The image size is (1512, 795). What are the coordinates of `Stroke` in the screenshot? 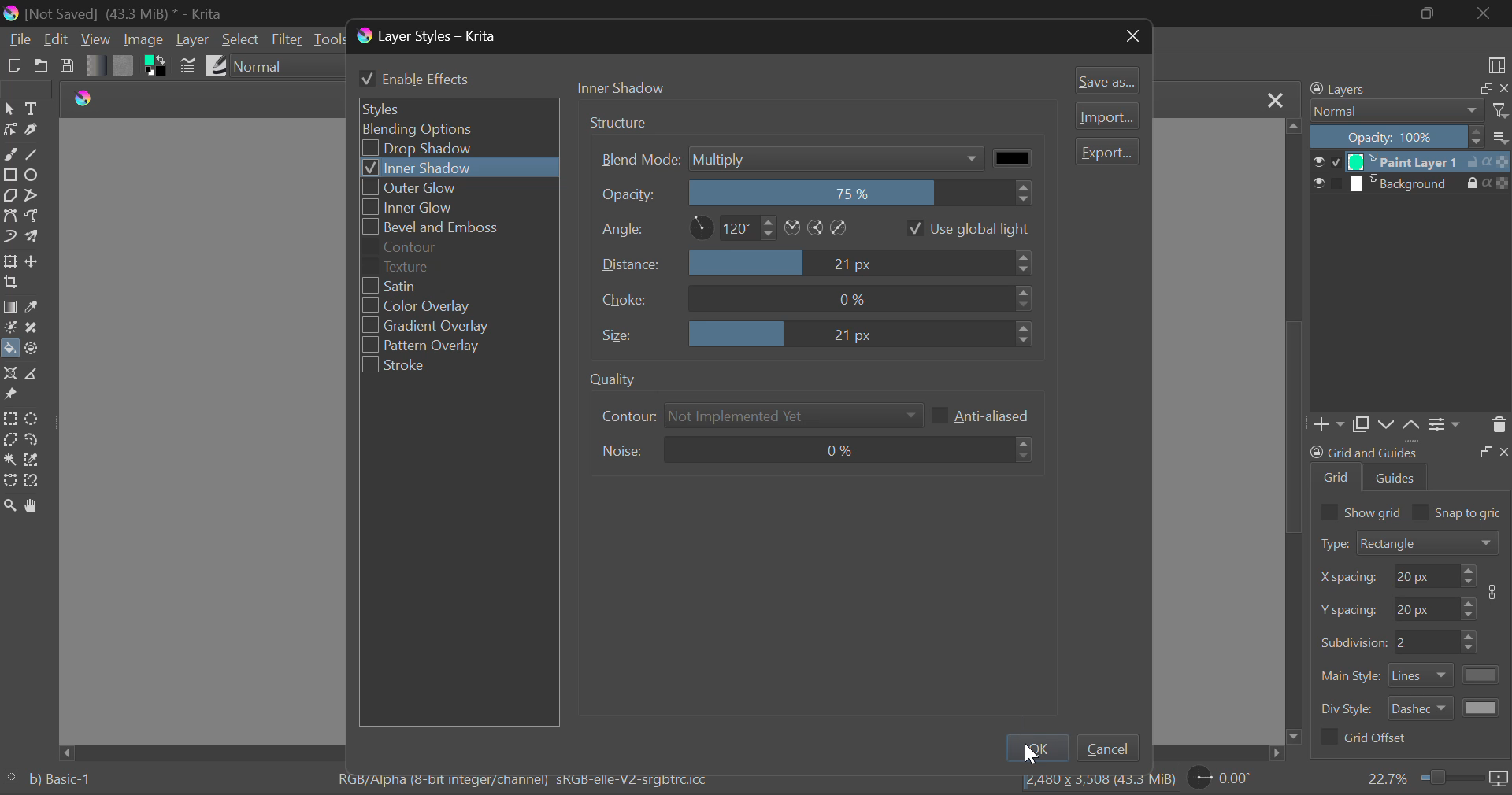 It's located at (443, 365).